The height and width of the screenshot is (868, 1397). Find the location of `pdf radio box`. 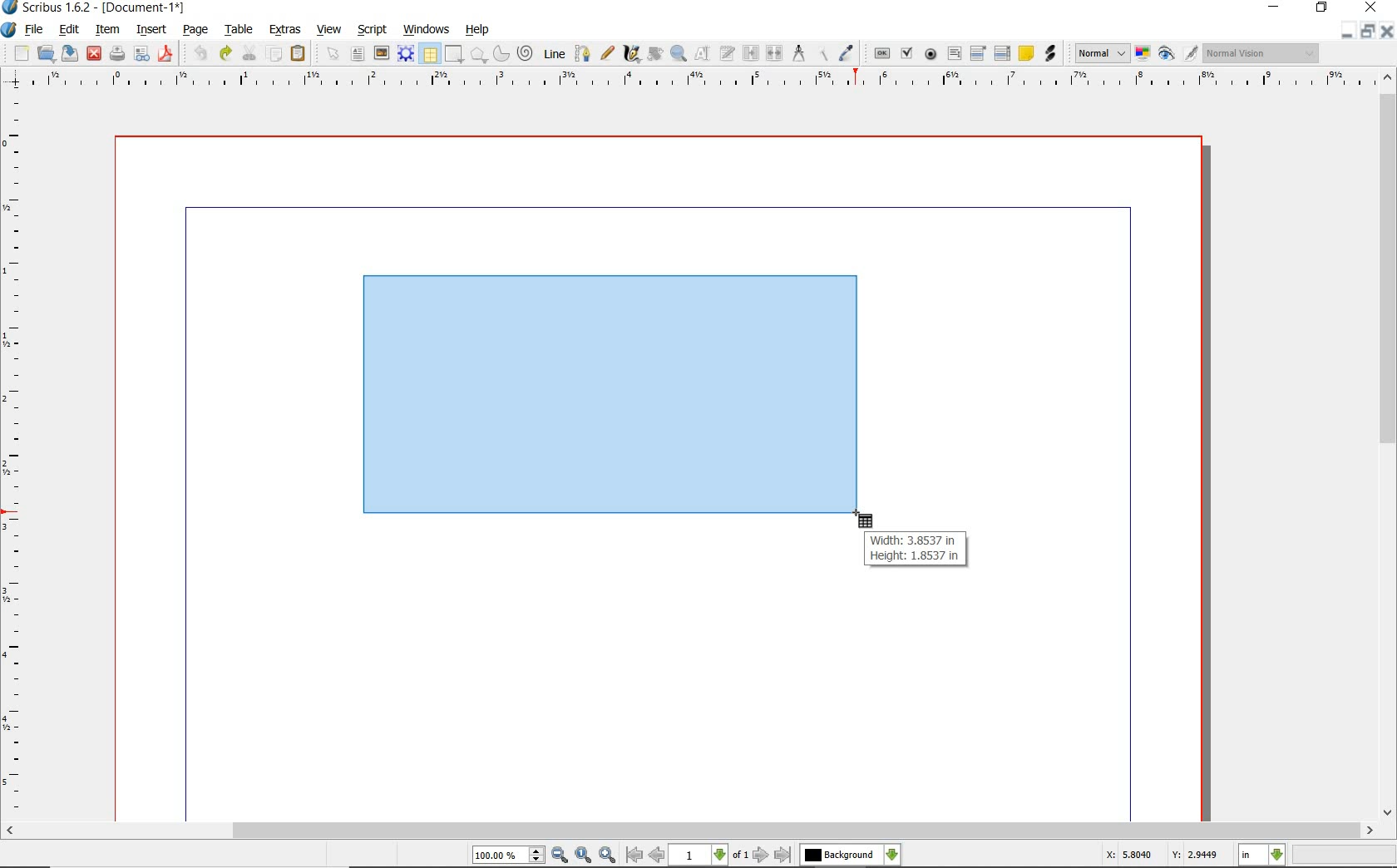

pdf radio box is located at coordinates (931, 55).